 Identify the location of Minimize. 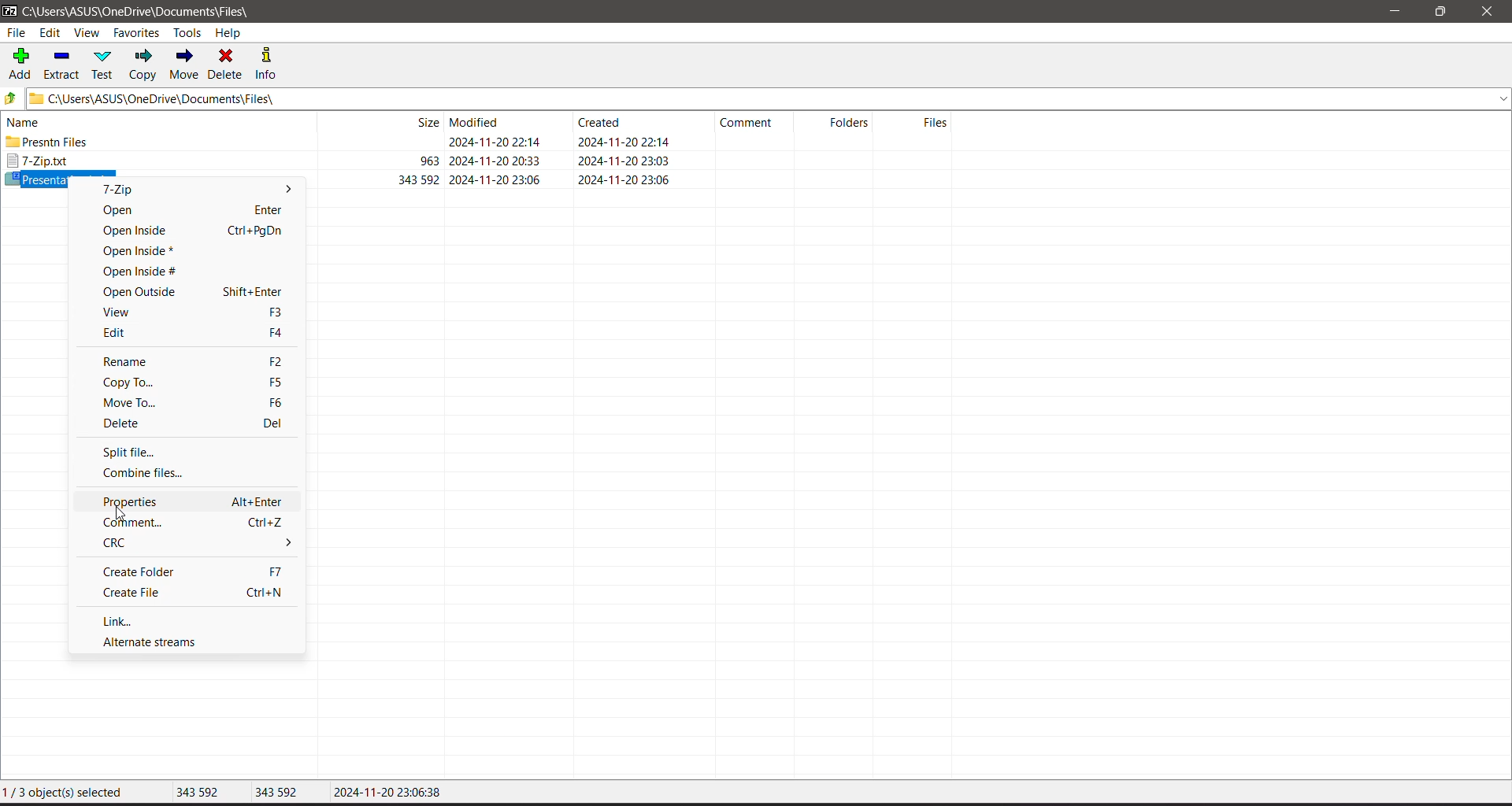
(1395, 12).